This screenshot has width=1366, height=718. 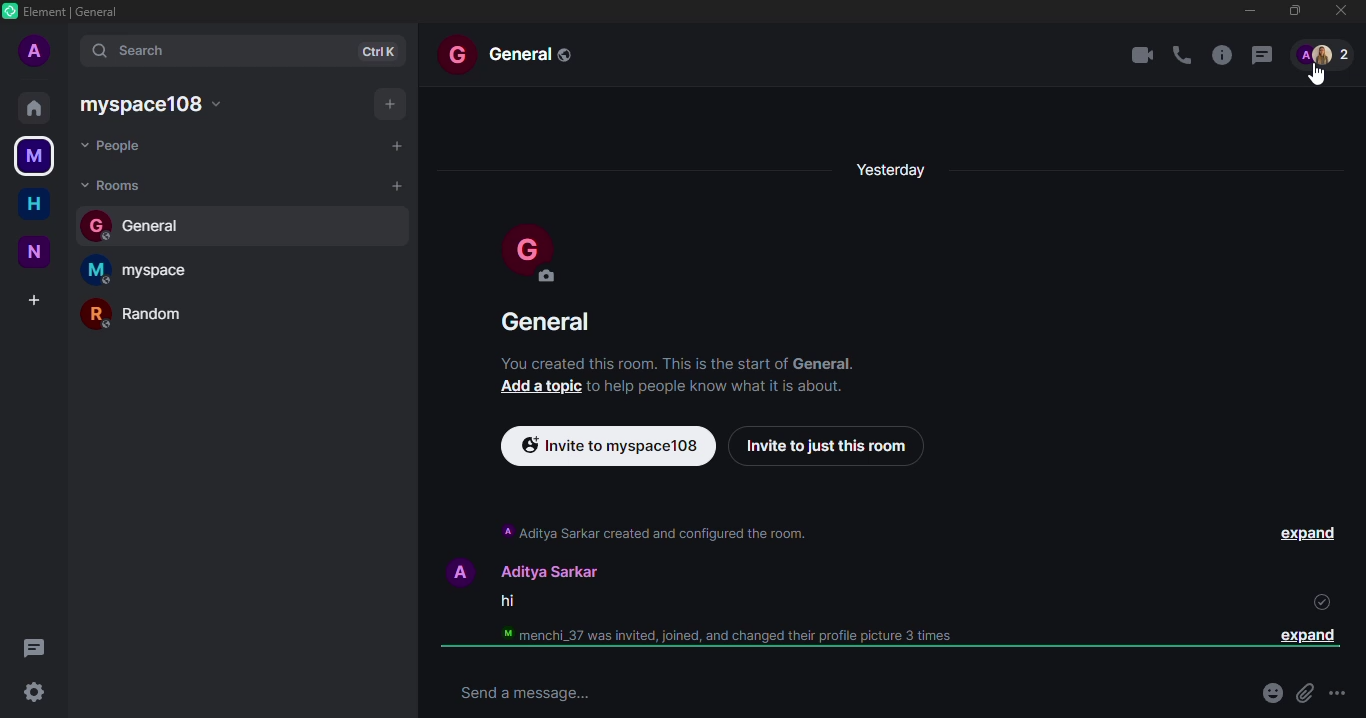 I want to click on video call, so click(x=1141, y=57).